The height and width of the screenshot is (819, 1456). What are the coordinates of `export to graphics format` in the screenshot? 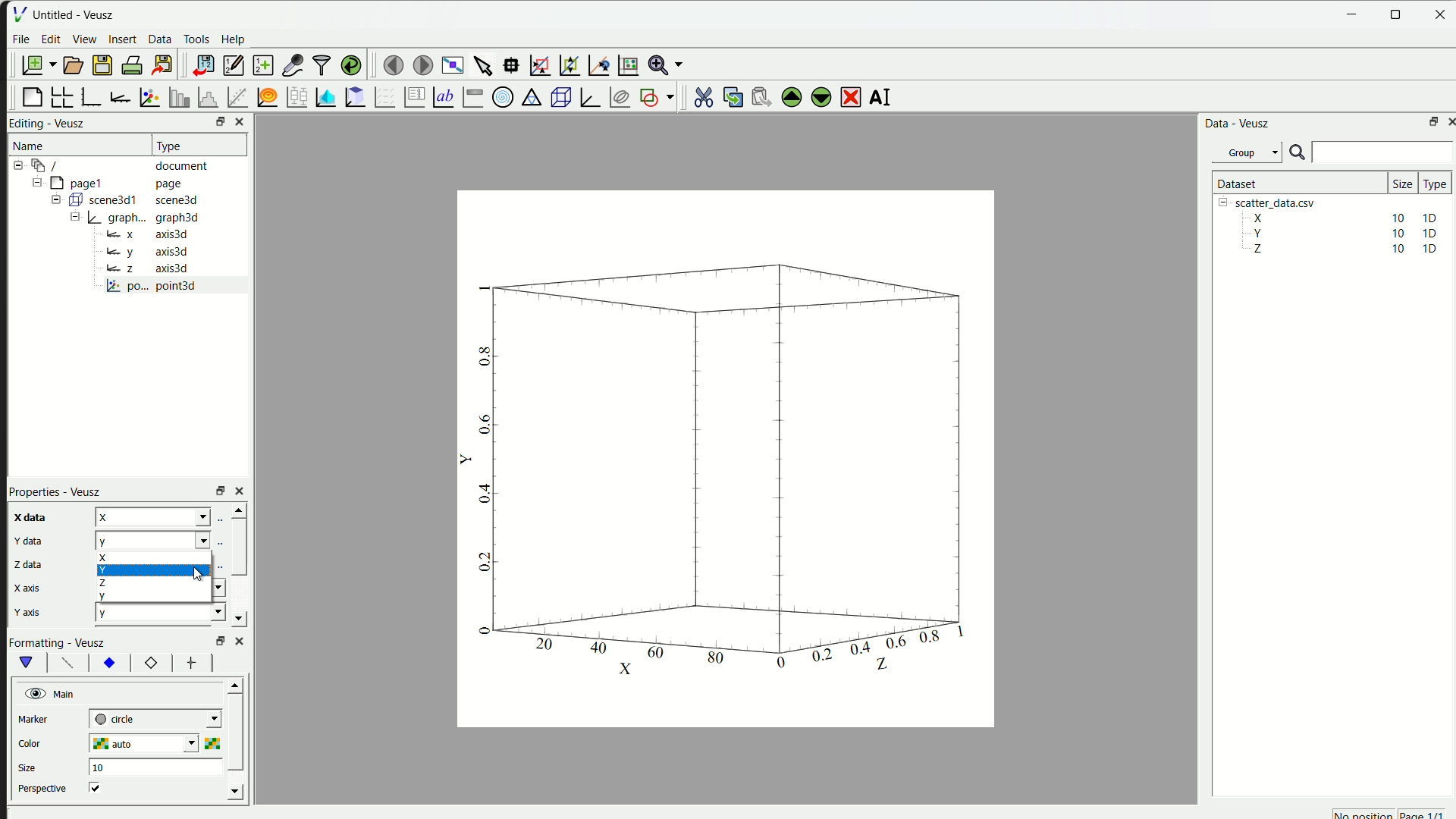 It's located at (161, 63).